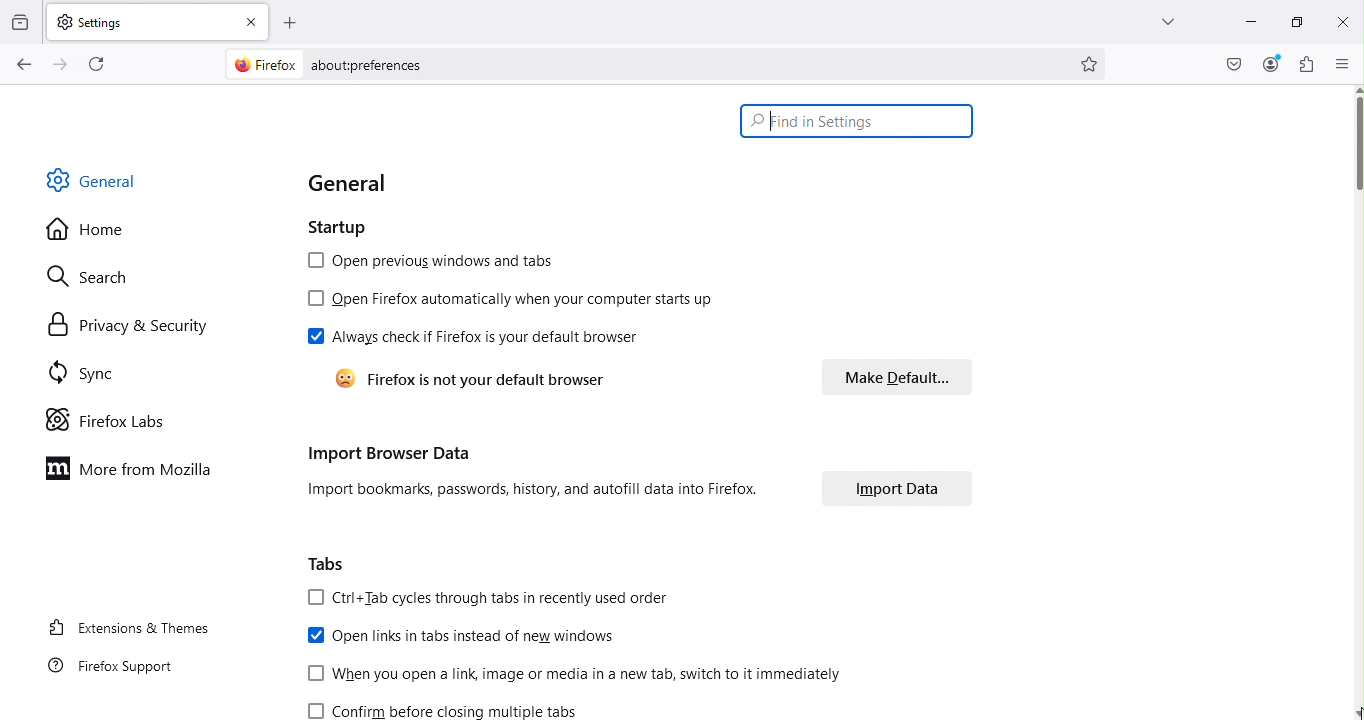 The image size is (1364, 720). Describe the element at coordinates (1355, 144) in the screenshot. I see `vertical scrollbar` at that location.